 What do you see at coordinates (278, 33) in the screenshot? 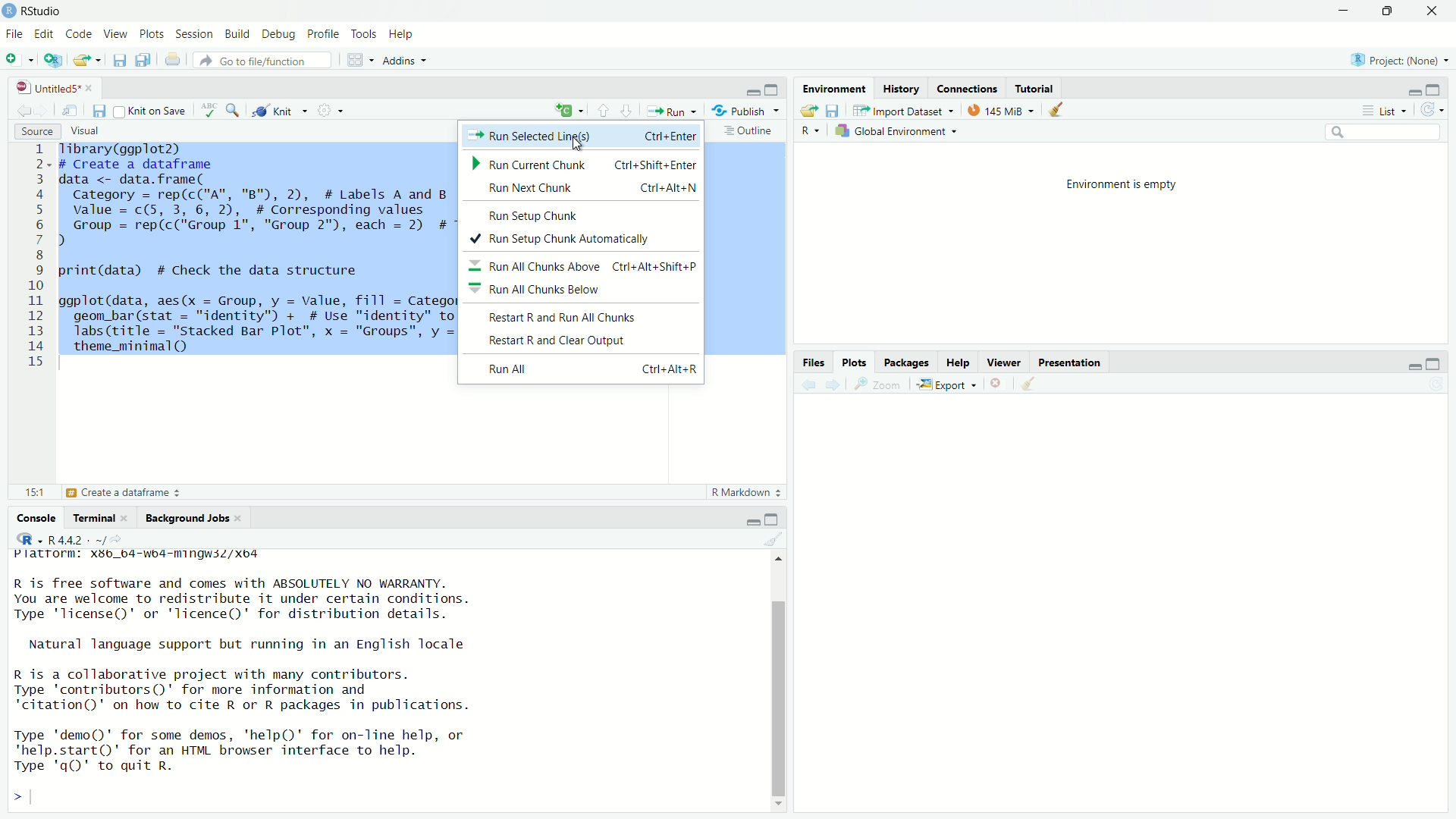
I see `Debug` at bounding box center [278, 33].